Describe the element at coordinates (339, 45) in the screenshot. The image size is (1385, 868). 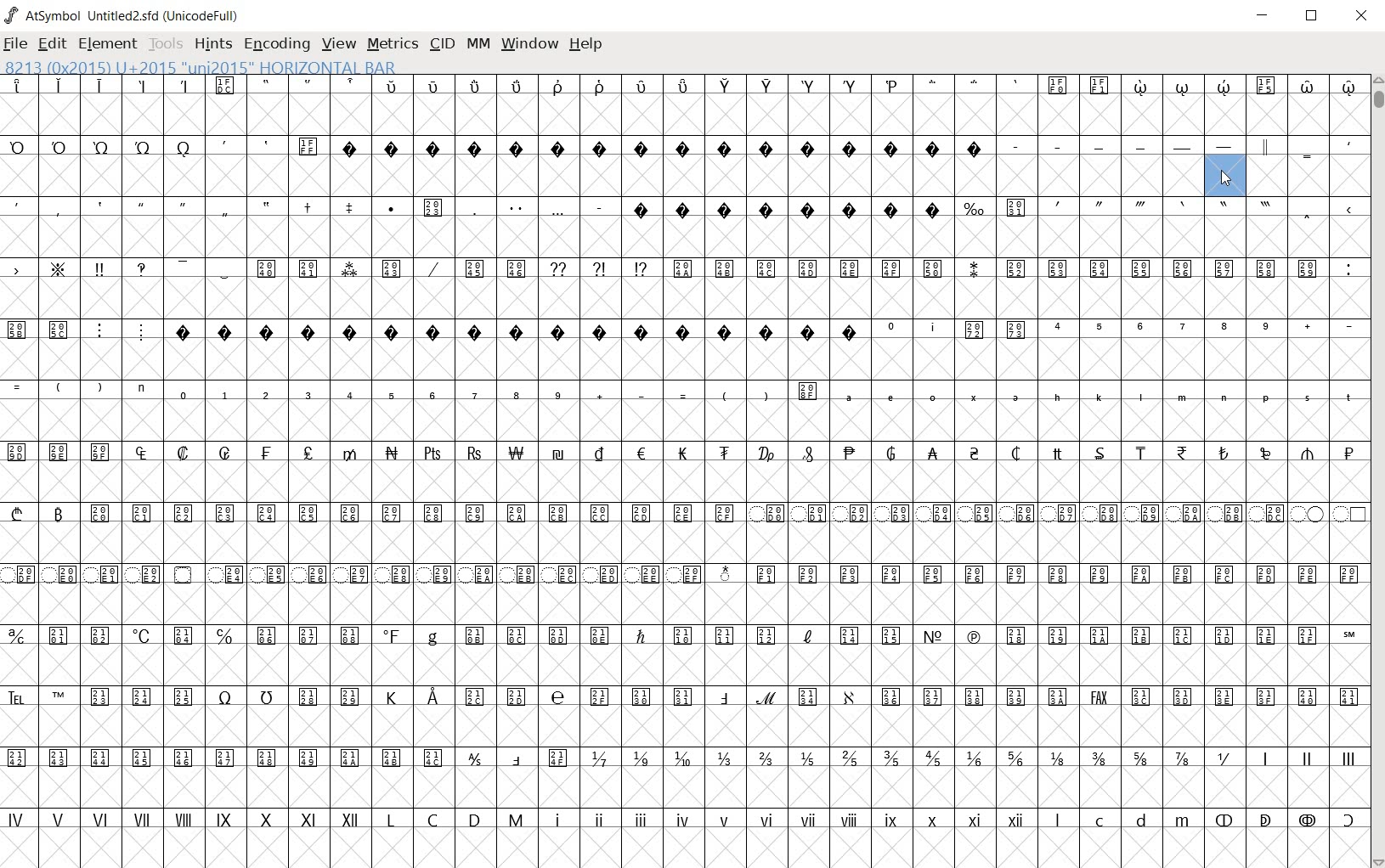
I see `VIEW` at that location.